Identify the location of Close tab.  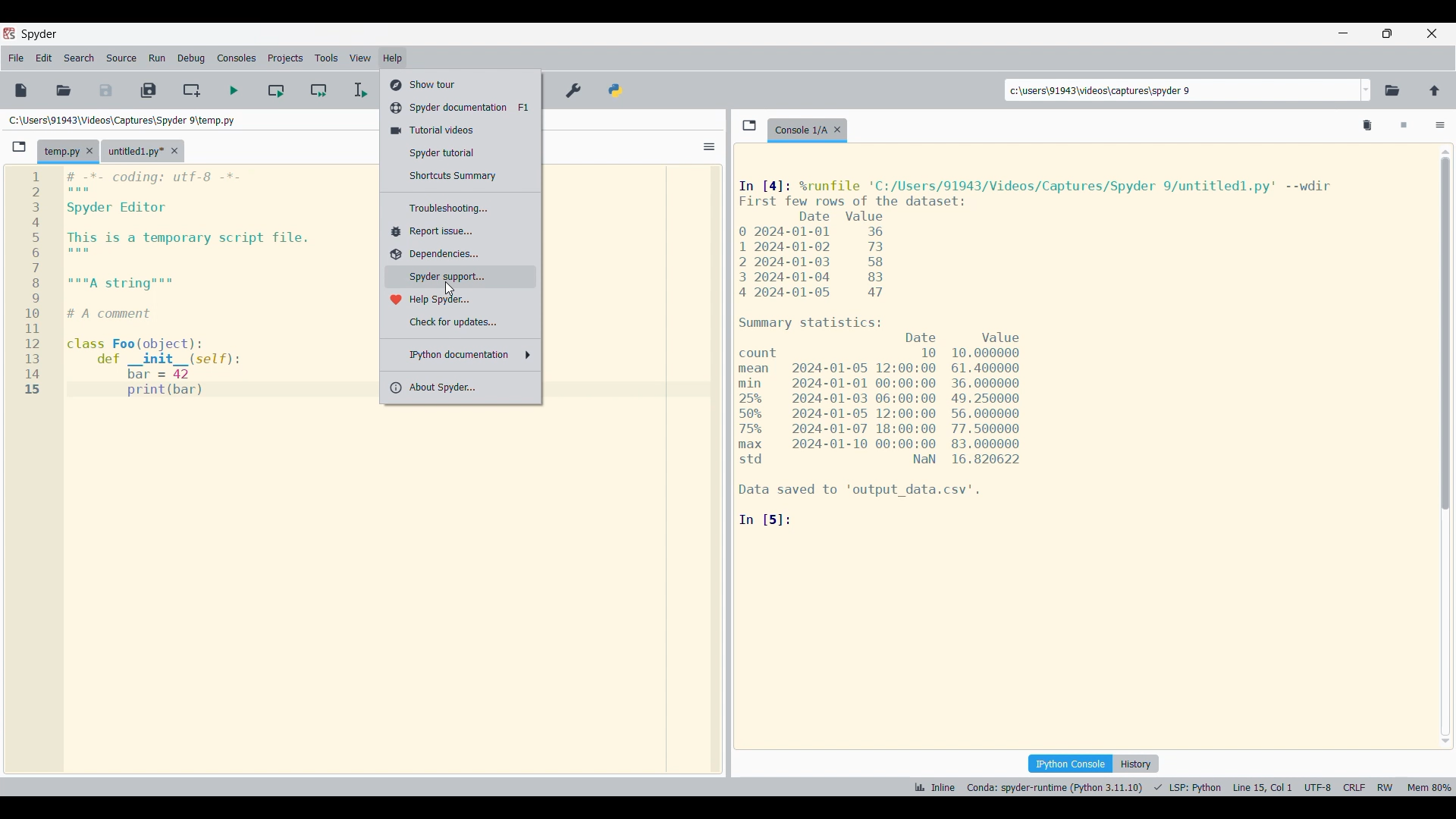
(837, 130).